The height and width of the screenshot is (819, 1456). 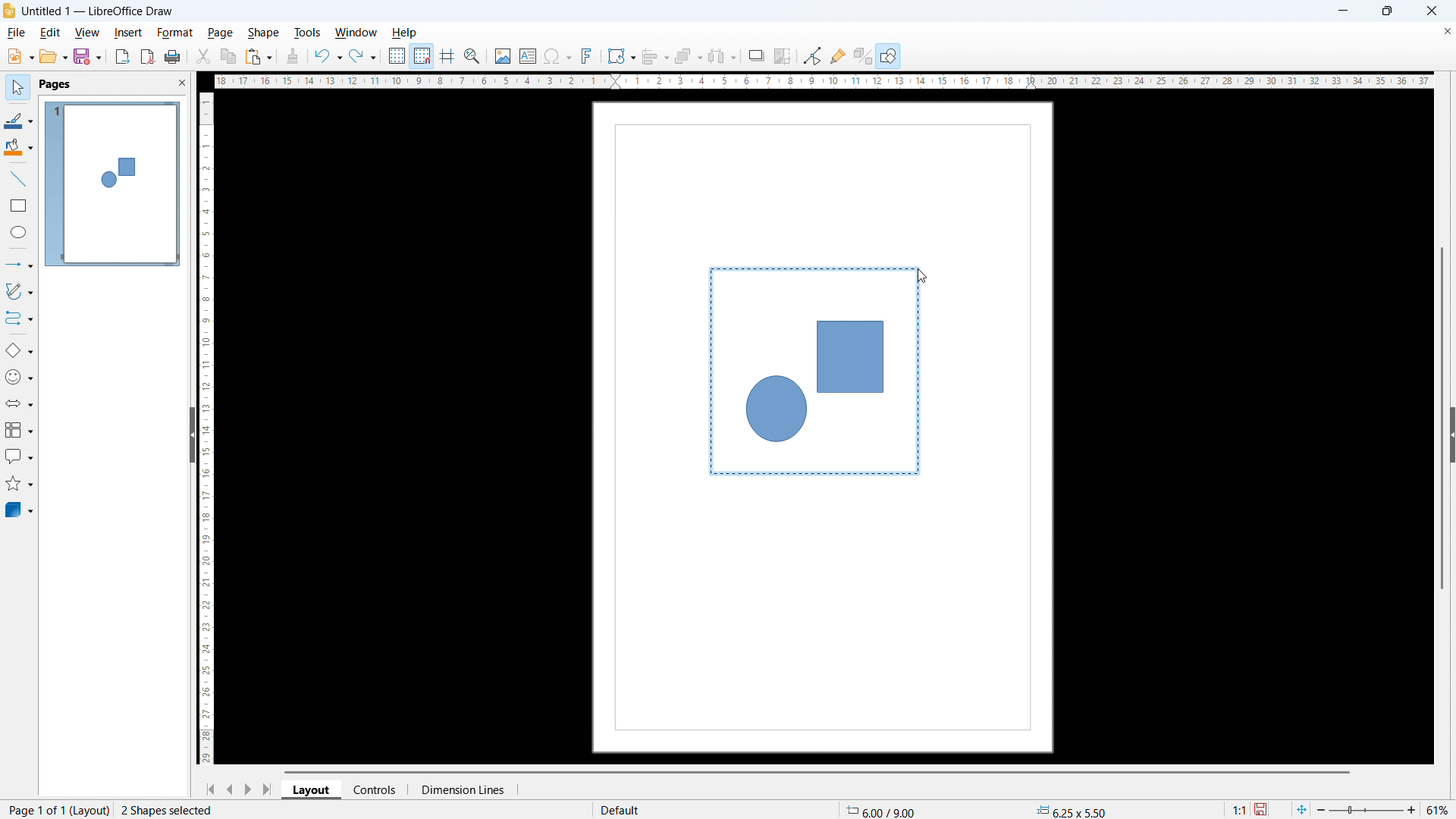 I want to click on horizontal scrollbar, so click(x=813, y=772).